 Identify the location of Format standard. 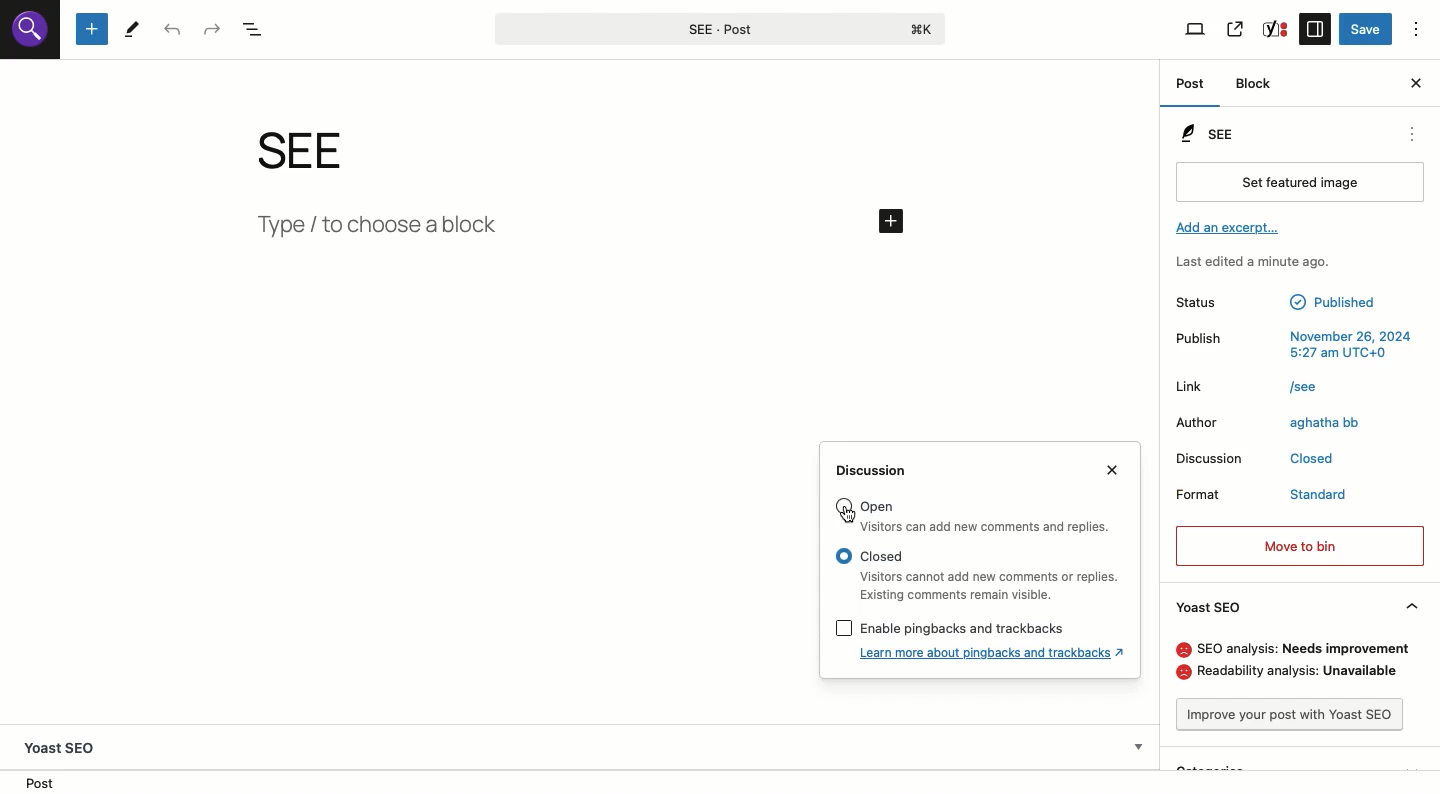
(1264, 491).